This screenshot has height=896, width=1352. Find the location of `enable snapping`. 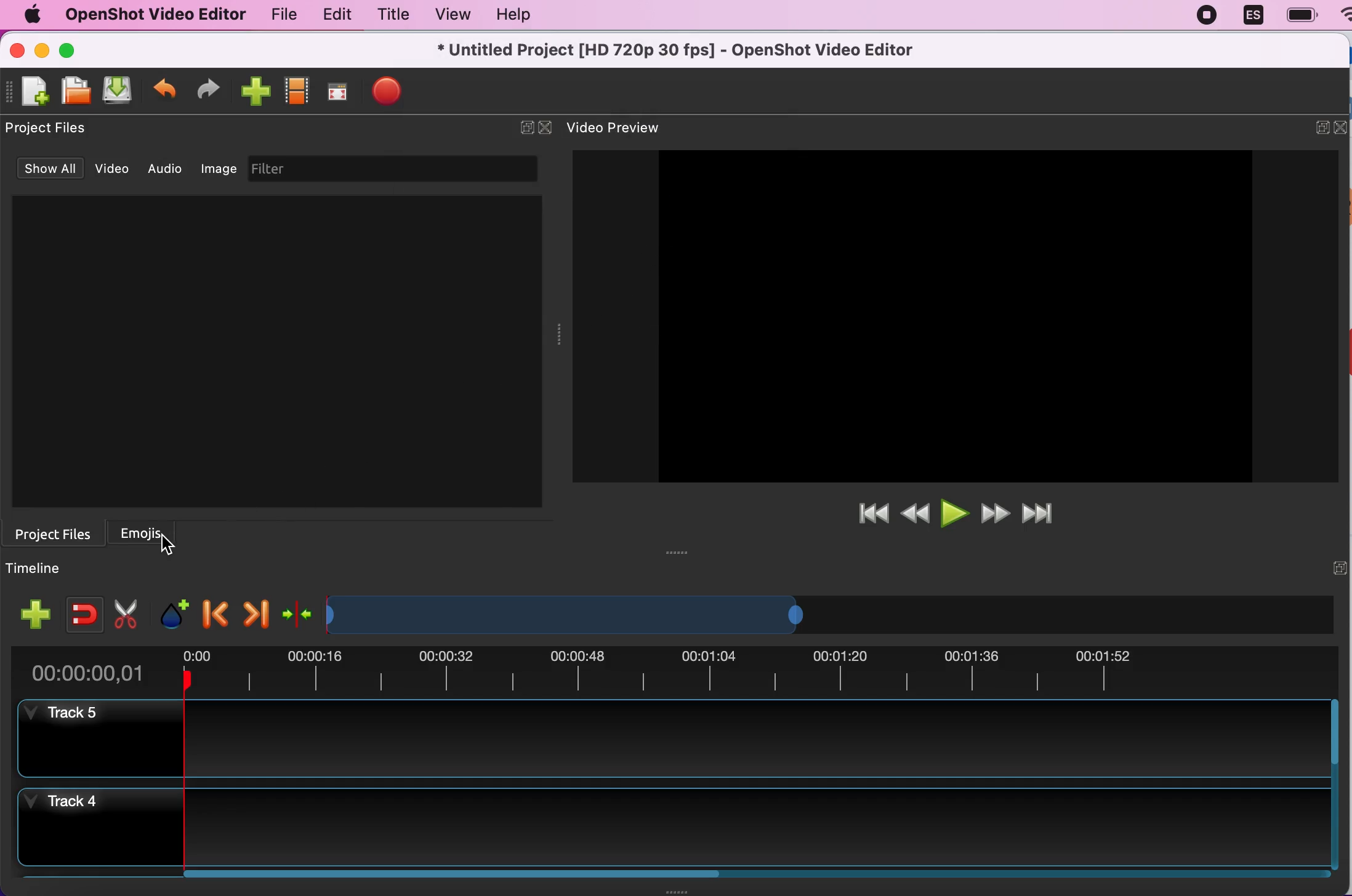

enable snapping is located at coordinates (80, 610).